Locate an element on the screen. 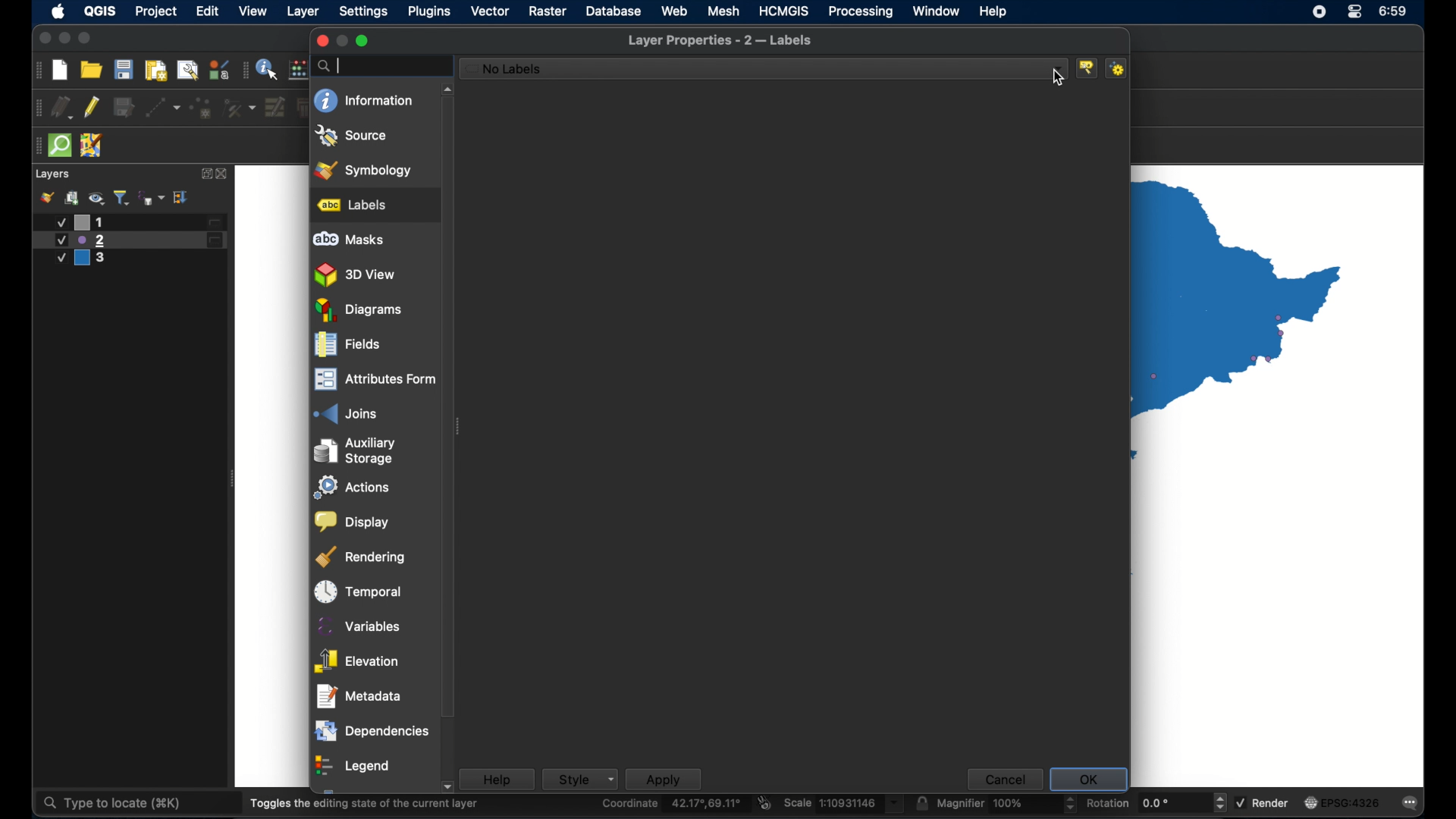 Image resolution: width=1456 pixels, height=819 pixels. web is located at coordinates (674, 11).